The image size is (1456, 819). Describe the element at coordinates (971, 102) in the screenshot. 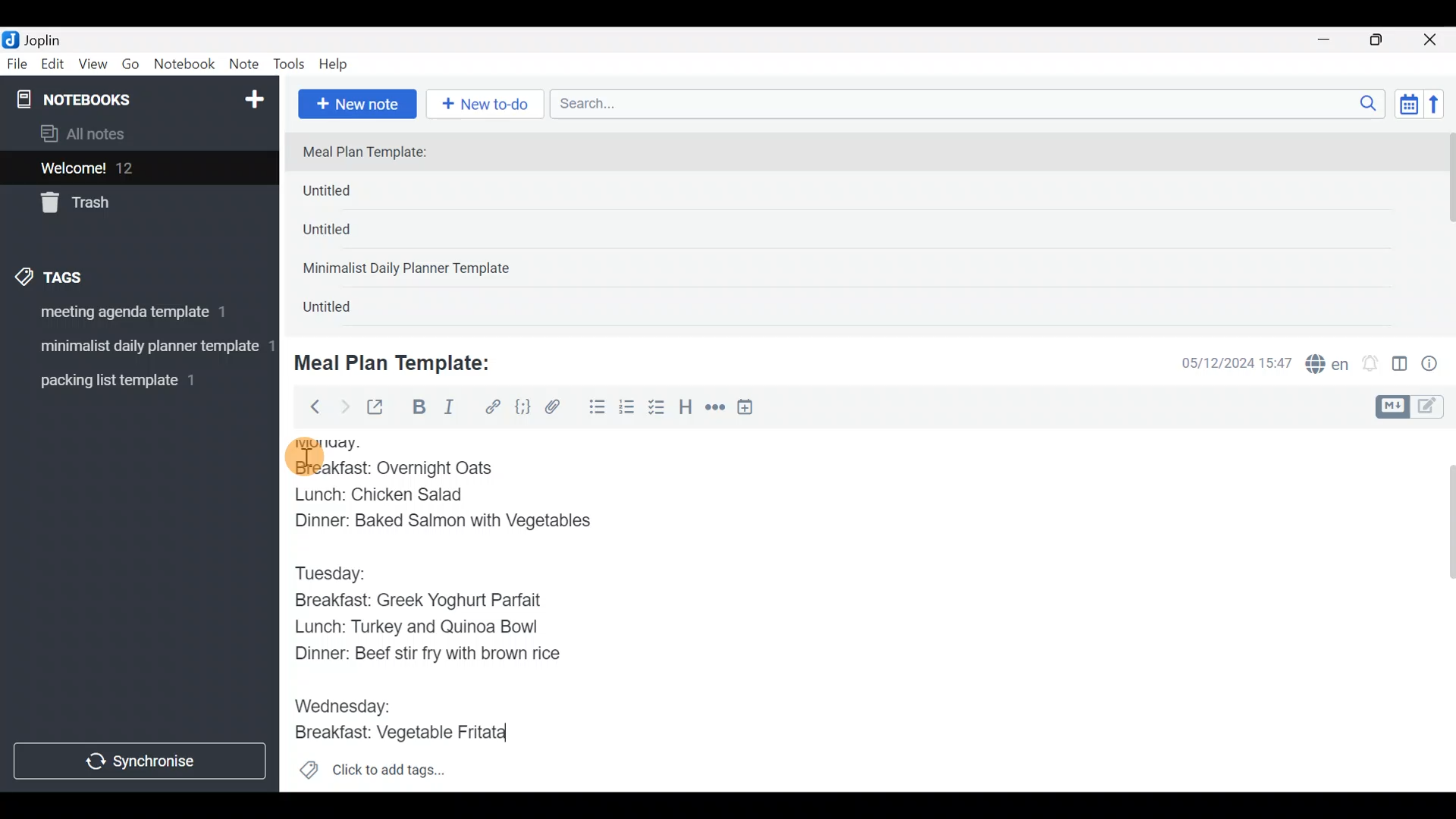

I see `Search bar` at that location.